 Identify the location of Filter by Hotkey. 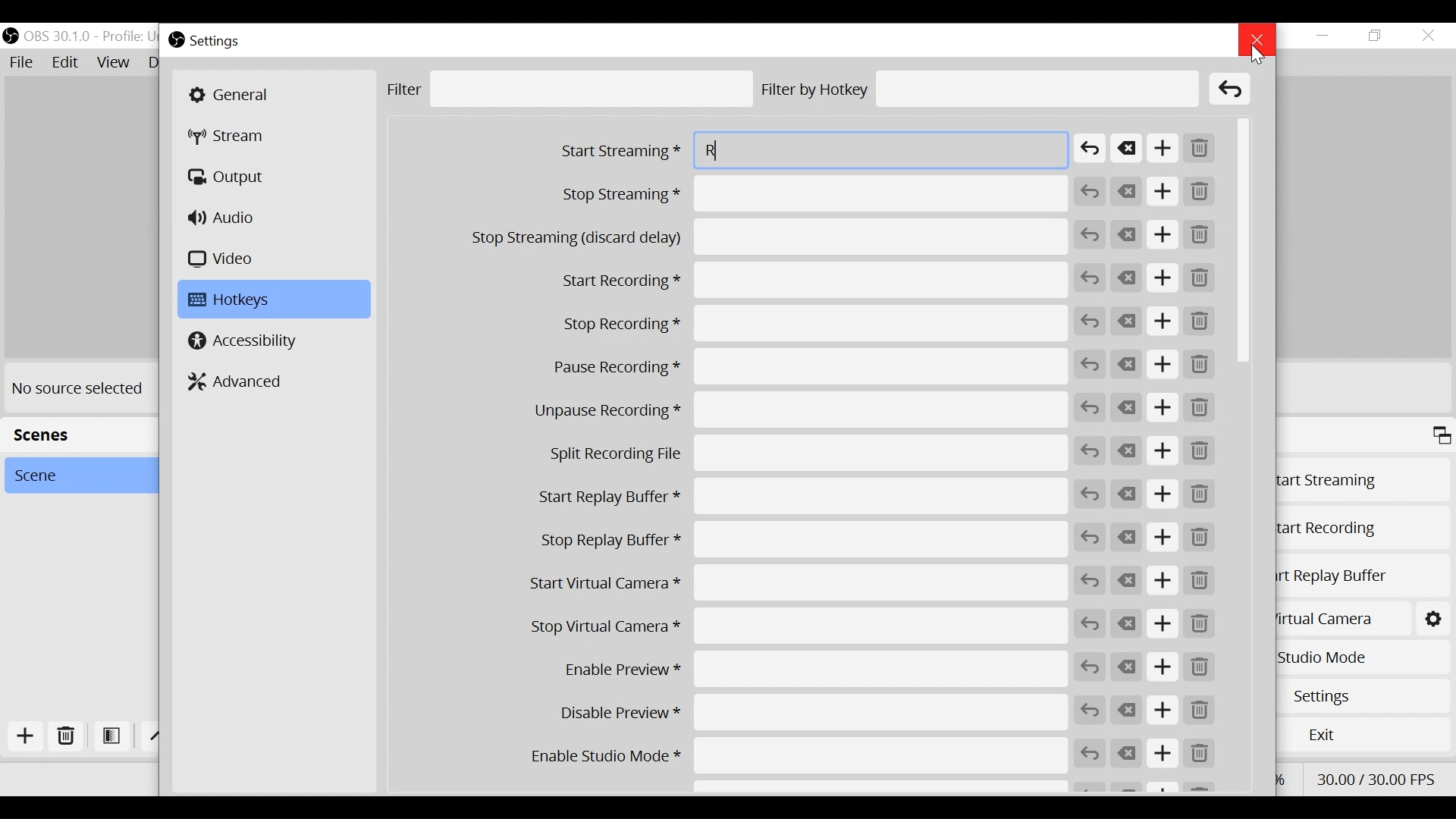
(980, 89).